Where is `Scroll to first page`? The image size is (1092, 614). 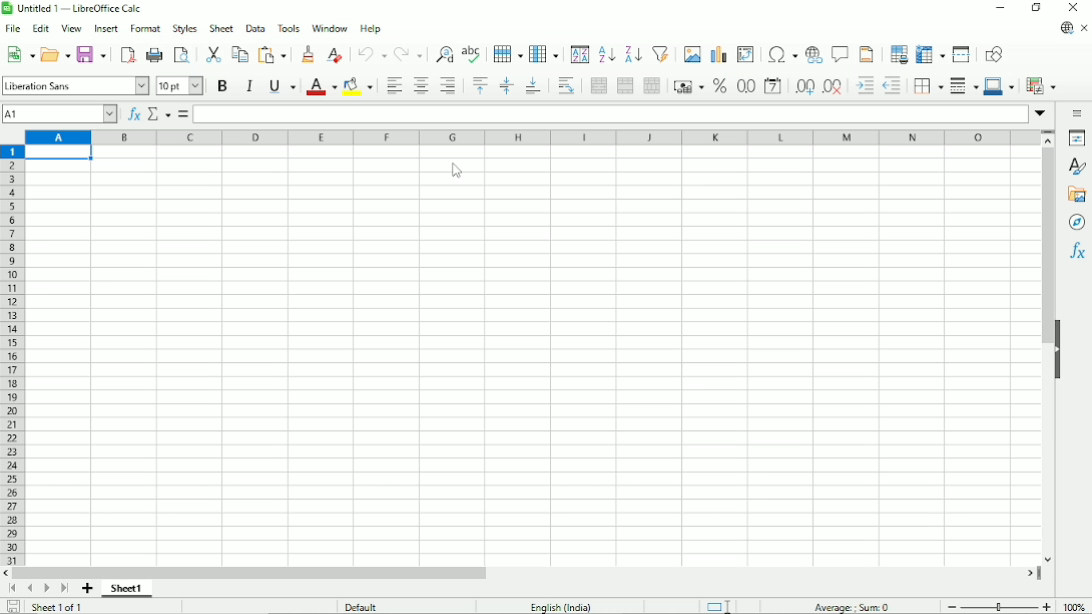 Scroll to first page is located at coordinates (12, 588).